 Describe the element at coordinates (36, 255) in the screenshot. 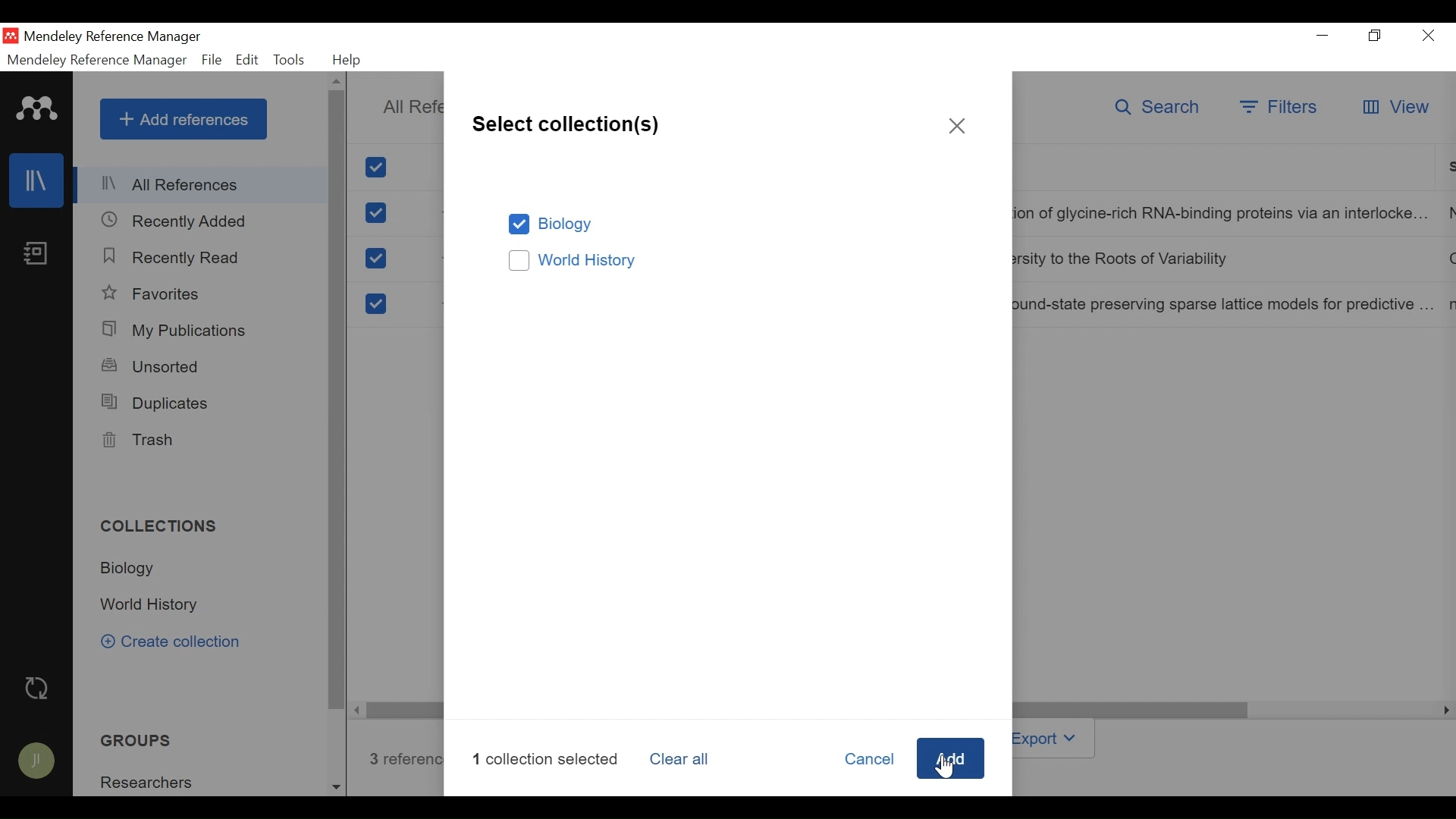

I see `Notebook` at that location.